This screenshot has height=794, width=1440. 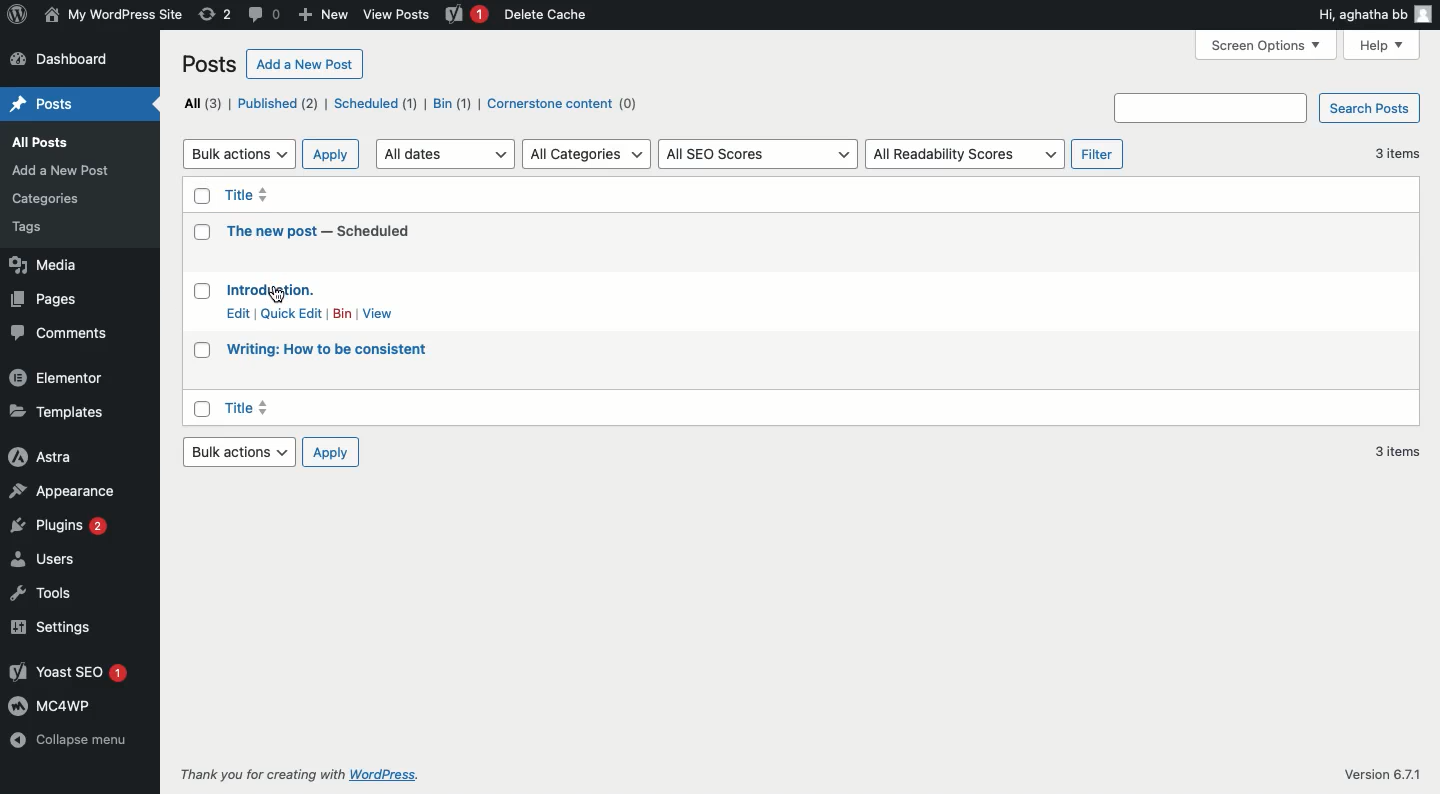 What do you see at coordinates (1397, 152) in the screenshot?
I see `3 items` at bounding box center [1397, 152].